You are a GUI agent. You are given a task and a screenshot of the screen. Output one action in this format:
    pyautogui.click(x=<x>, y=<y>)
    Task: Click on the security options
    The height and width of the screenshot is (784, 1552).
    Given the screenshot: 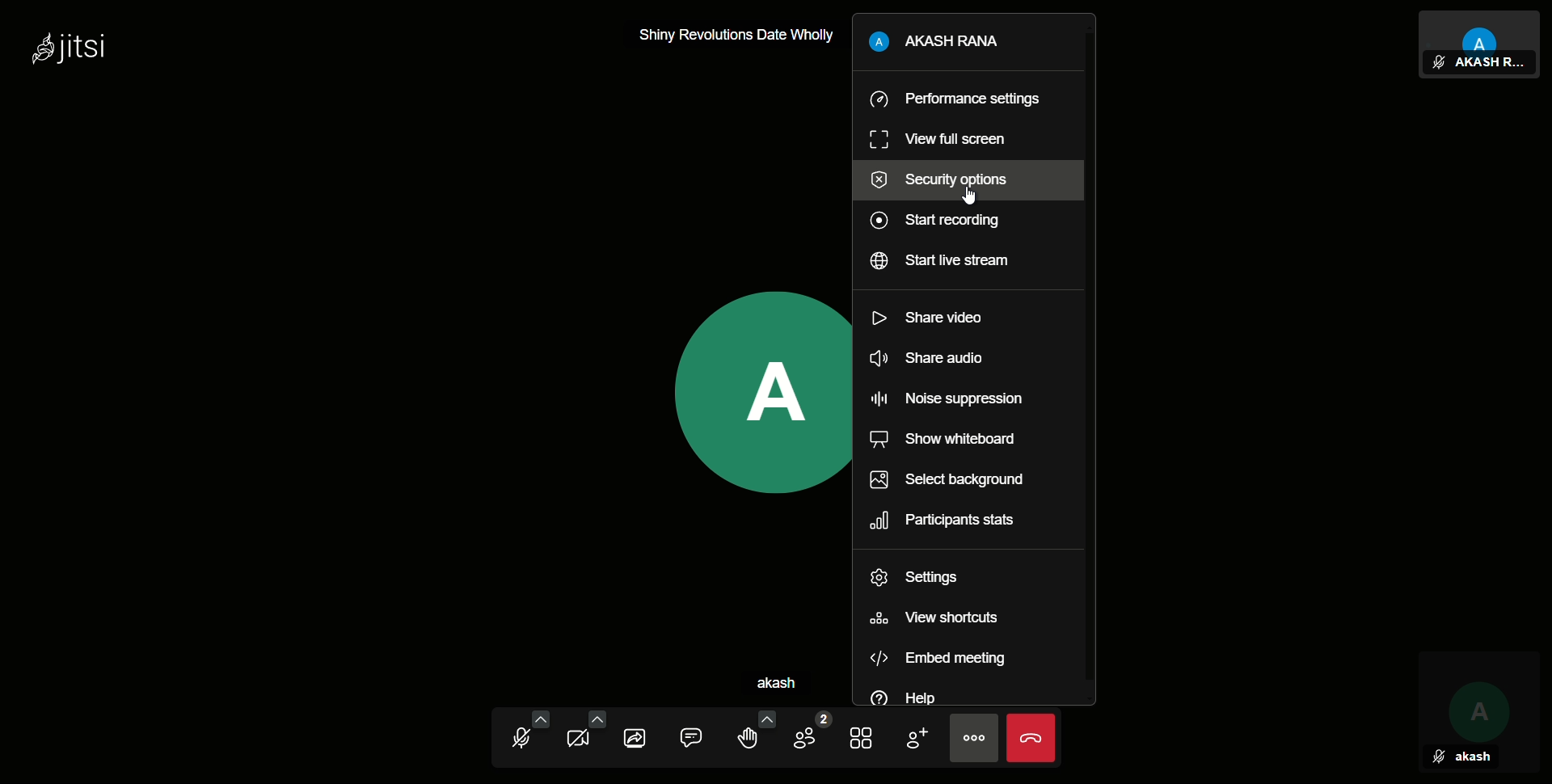 What is the action you would take?
    pyautogui.click(x=939, y=177)
    